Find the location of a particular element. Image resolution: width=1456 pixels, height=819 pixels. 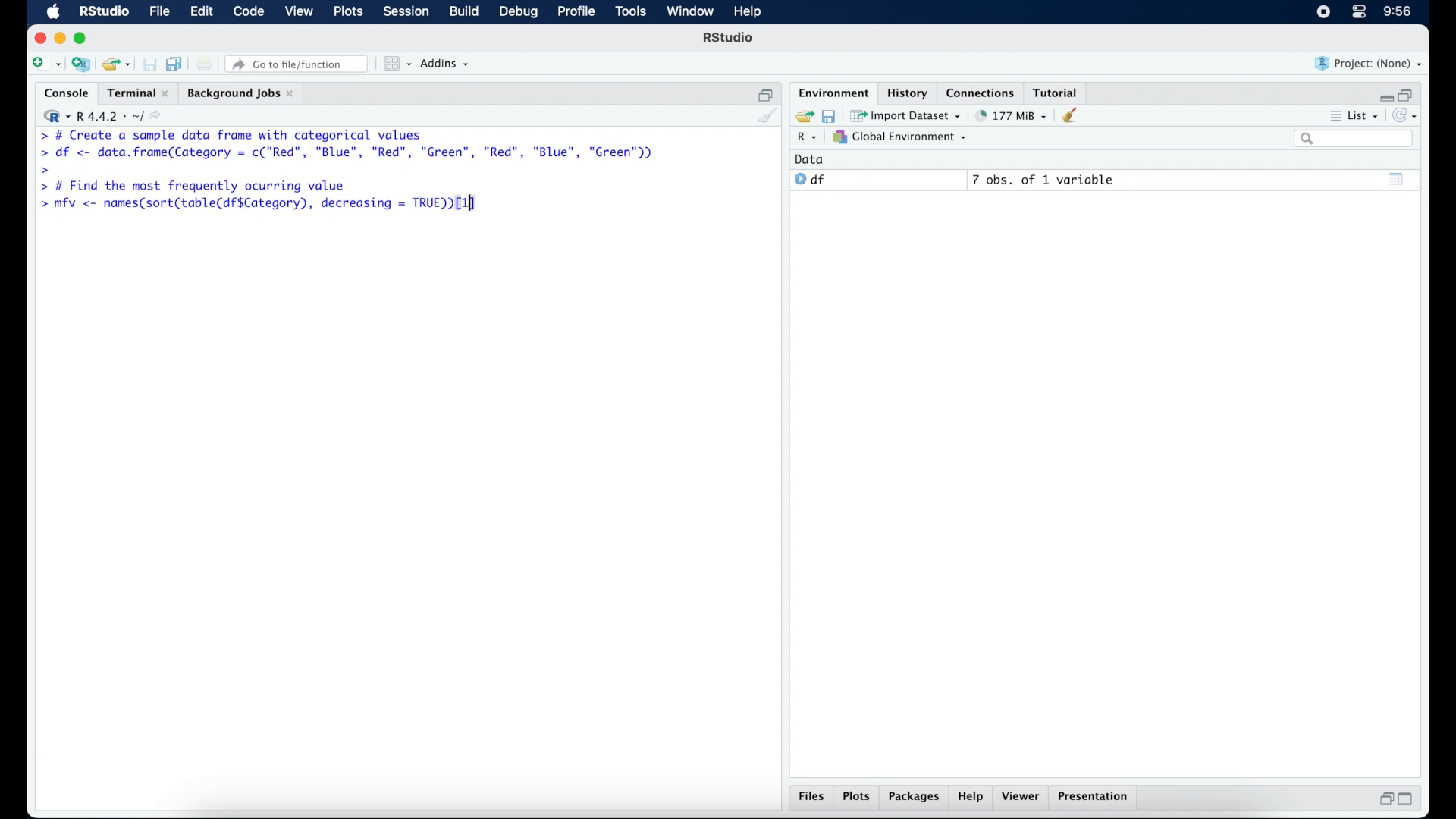

presentation is located at coordinates (1097, 798).